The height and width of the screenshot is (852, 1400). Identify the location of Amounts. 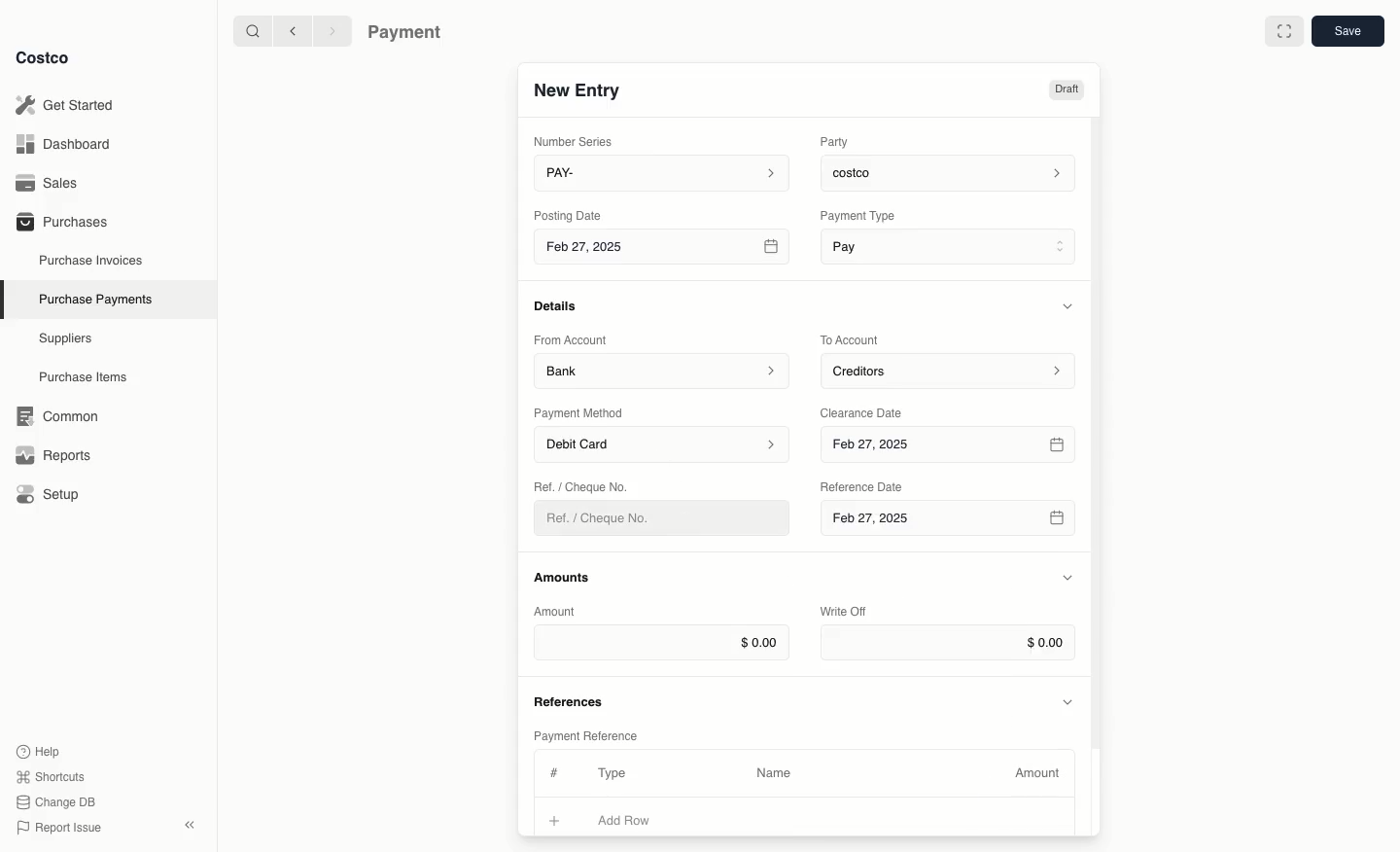
(564, 577).